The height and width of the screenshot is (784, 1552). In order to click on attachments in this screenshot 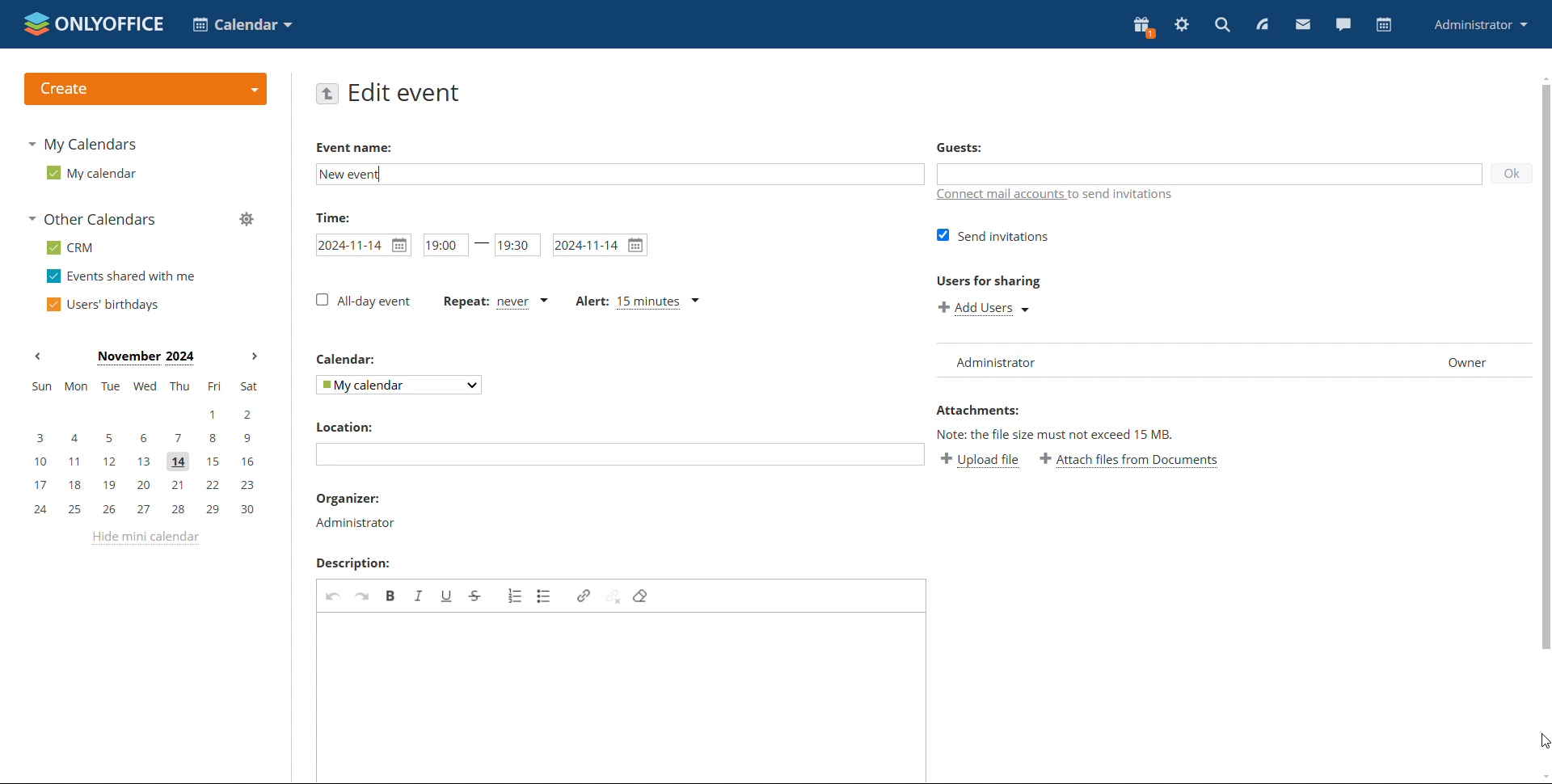, I will do `click(985, 411)`.